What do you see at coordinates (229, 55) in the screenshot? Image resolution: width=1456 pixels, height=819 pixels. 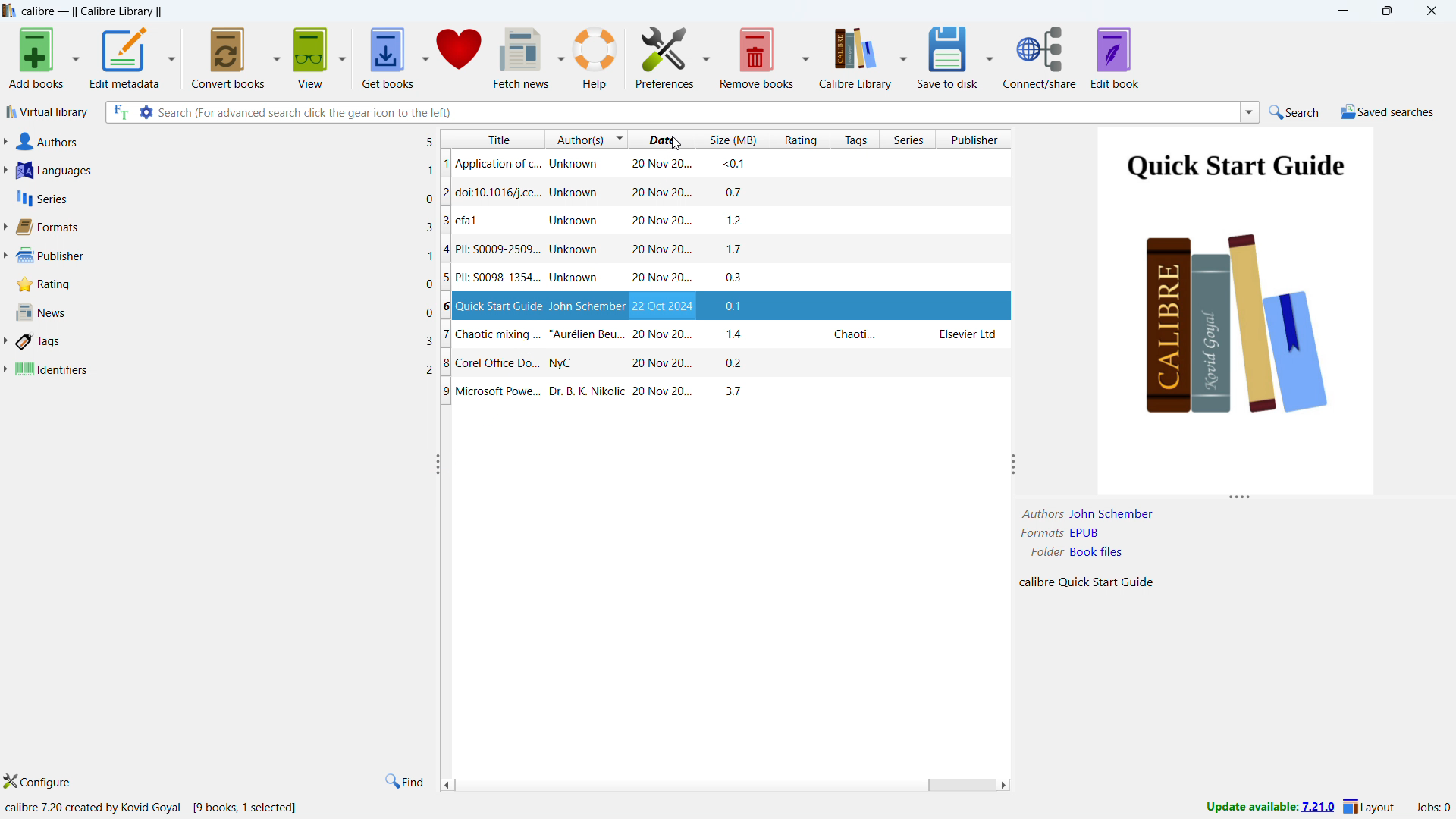 I see `Convert books` at bounding box center [229, 55].